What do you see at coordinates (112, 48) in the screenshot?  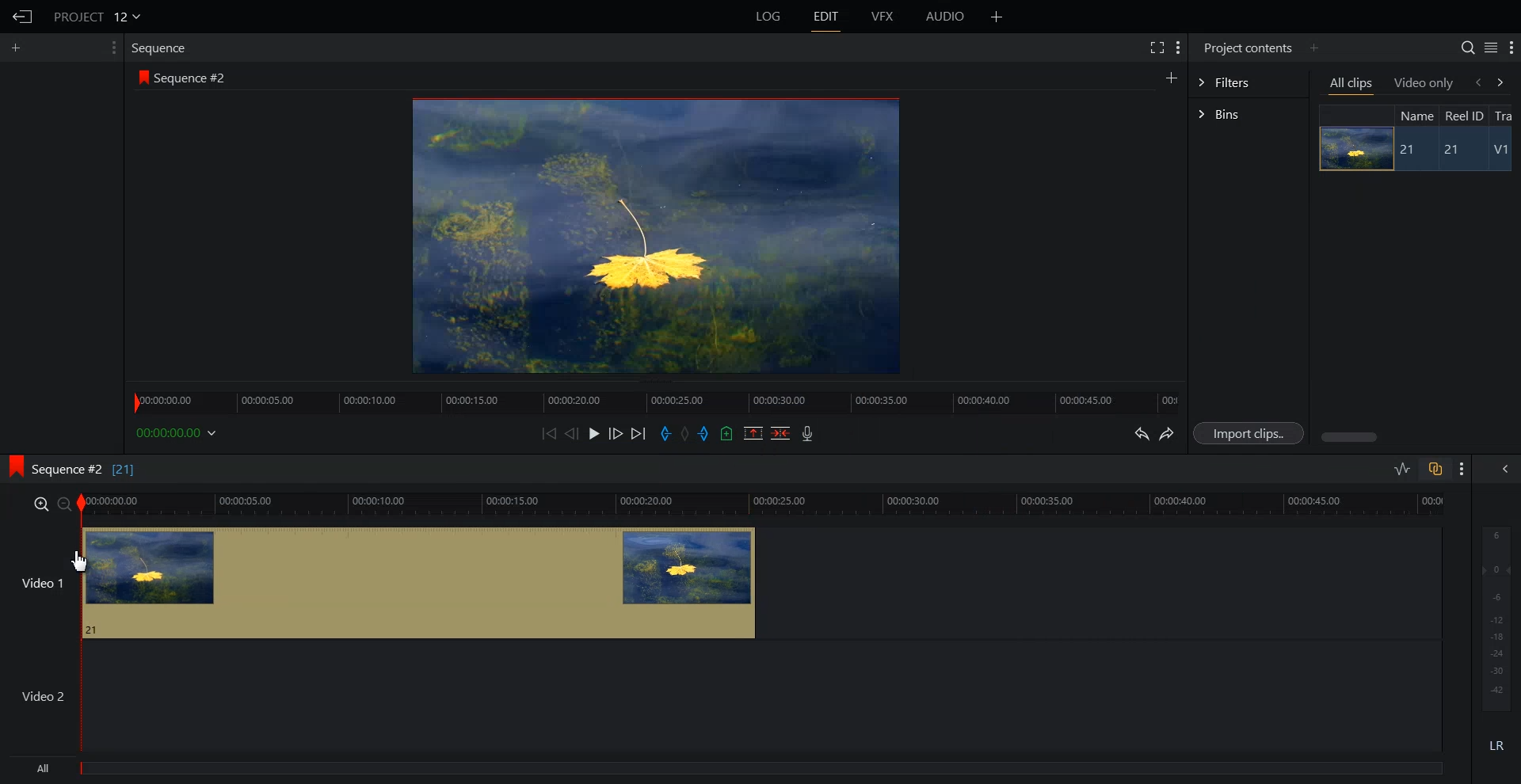 I see `Show setting menu` at bounding box center [112, 48].